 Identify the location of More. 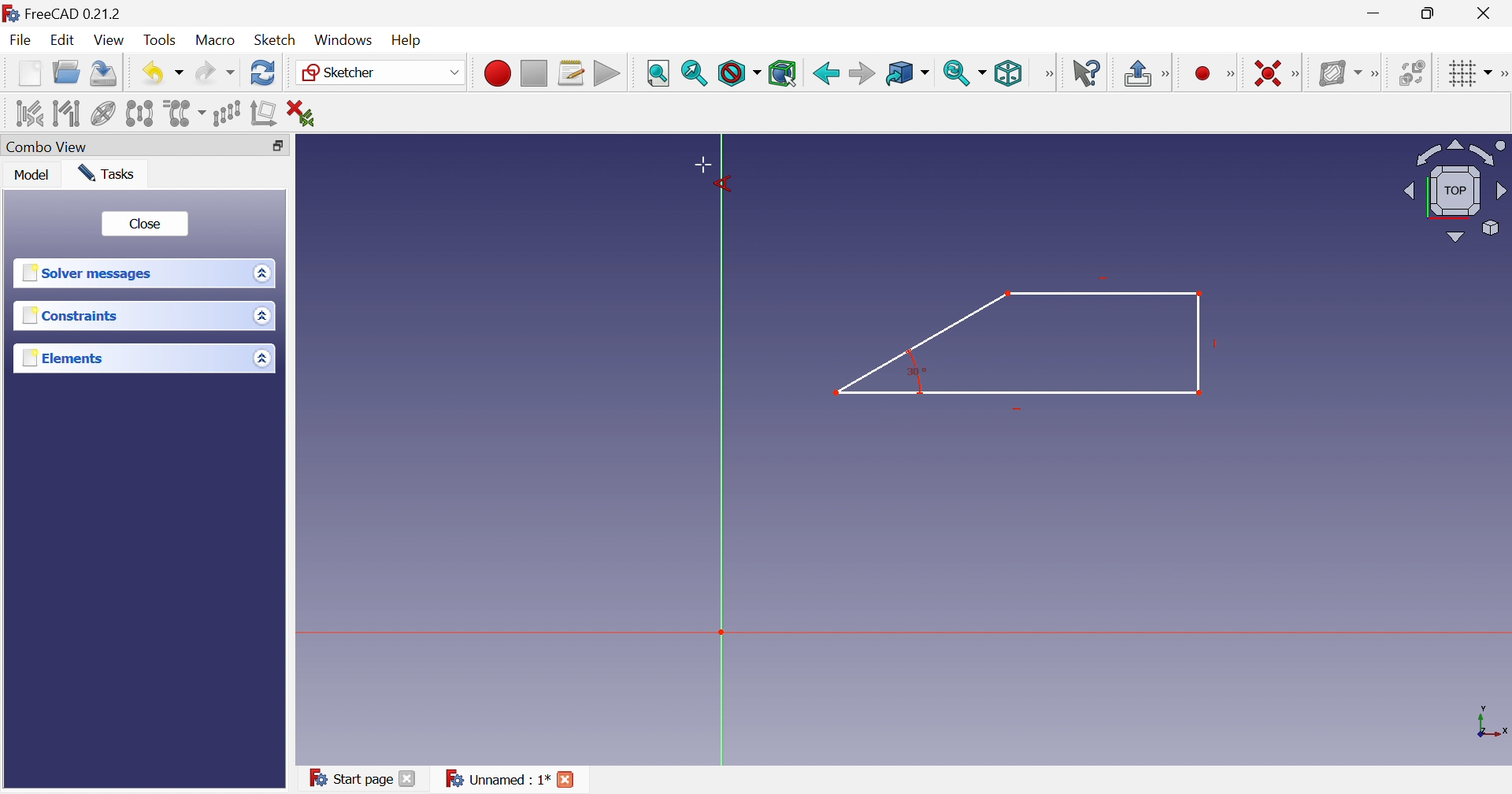
(1374, 71).